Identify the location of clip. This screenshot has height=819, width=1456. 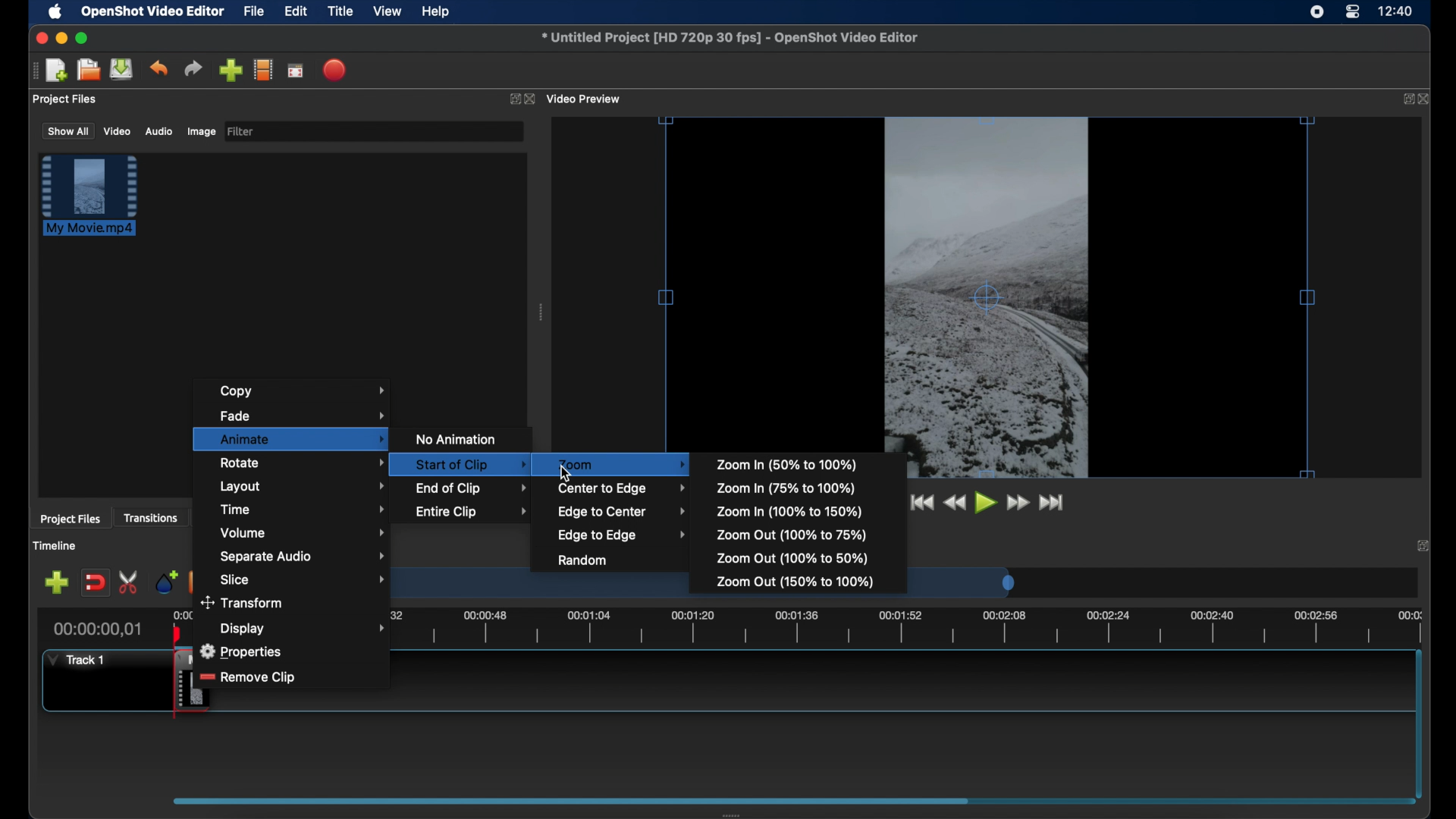
(165, 686).